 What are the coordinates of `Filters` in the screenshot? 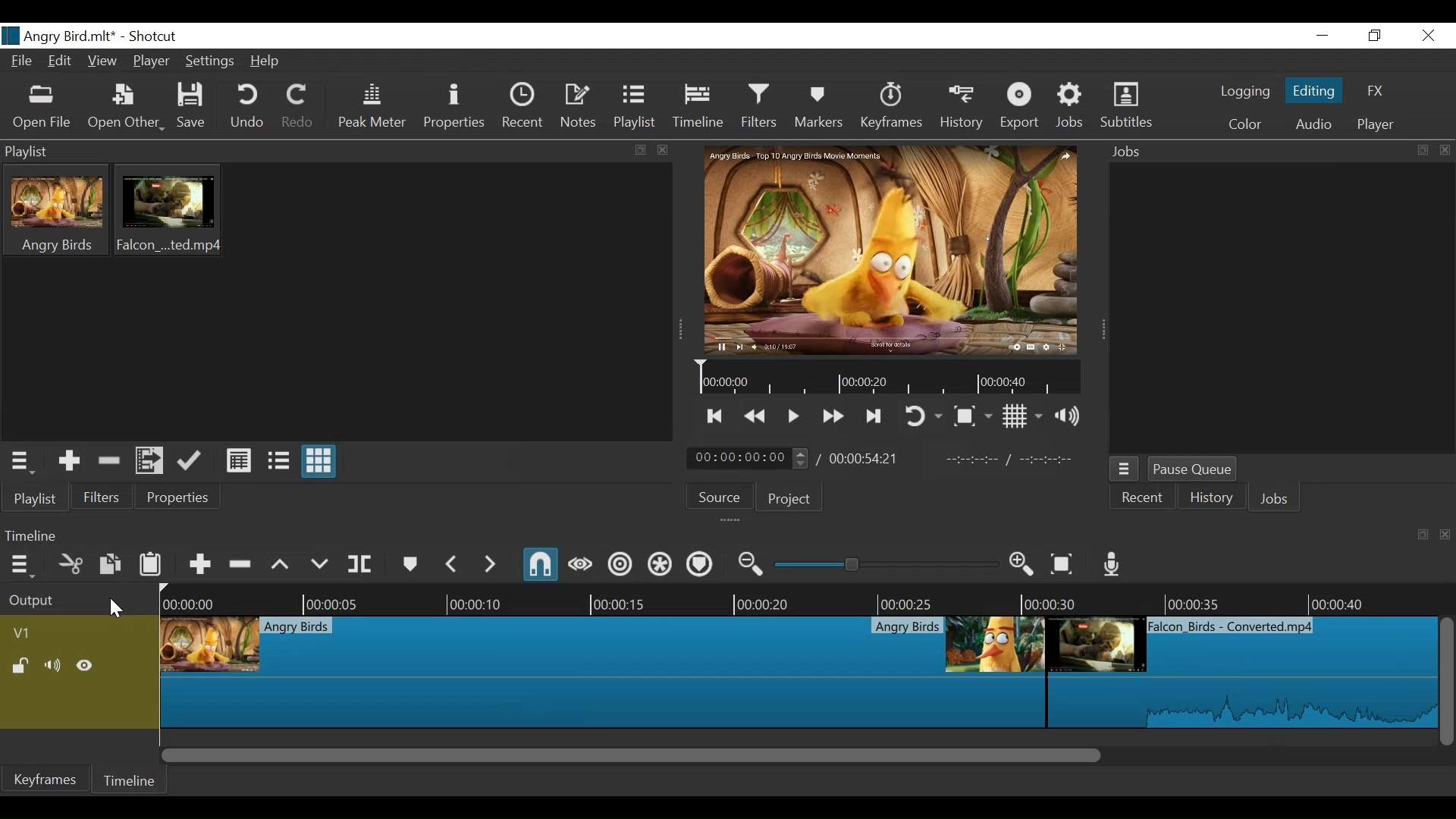 It's located at (759, 106).